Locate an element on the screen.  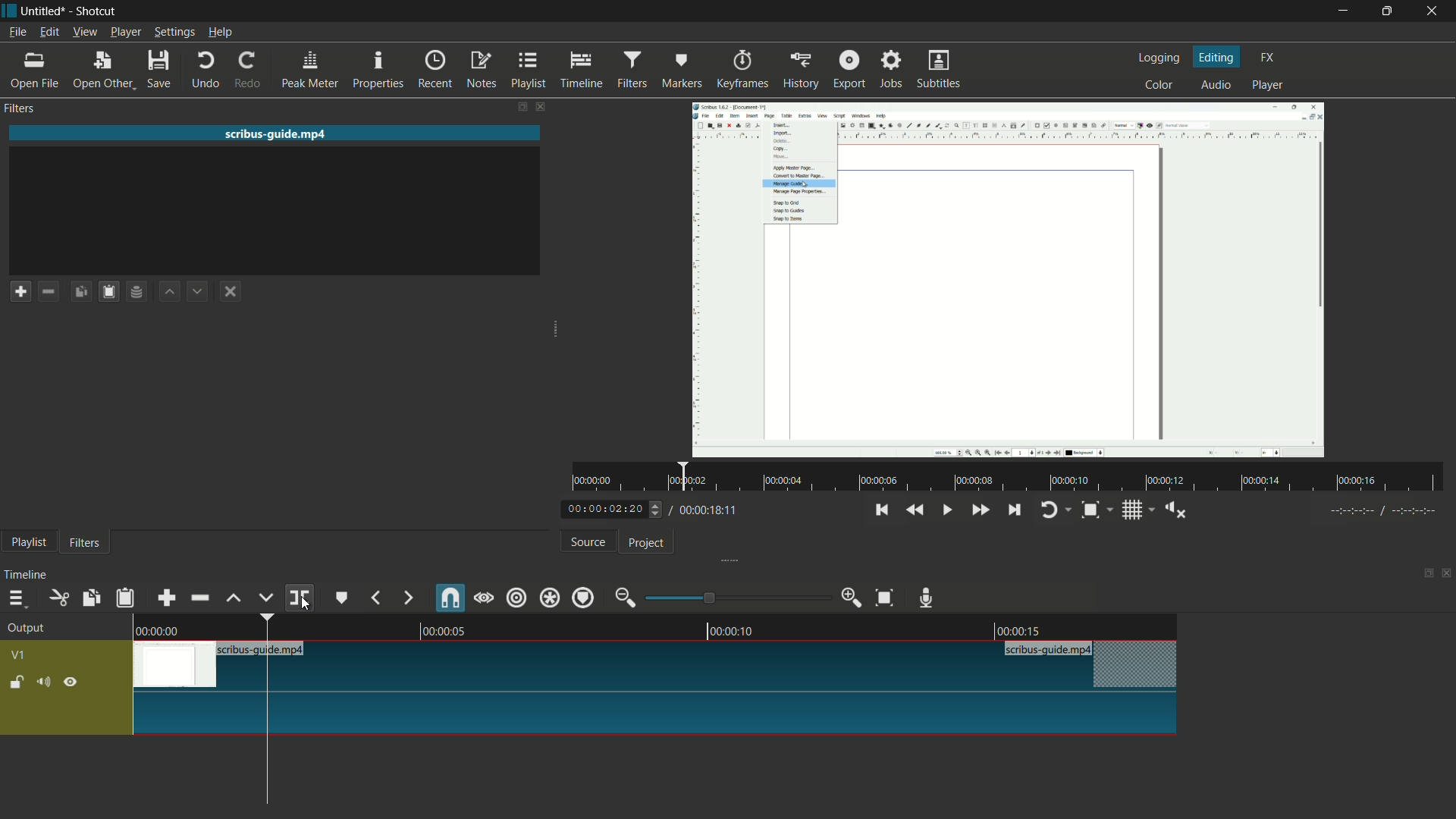
hide is located at coordinates (71, 683).